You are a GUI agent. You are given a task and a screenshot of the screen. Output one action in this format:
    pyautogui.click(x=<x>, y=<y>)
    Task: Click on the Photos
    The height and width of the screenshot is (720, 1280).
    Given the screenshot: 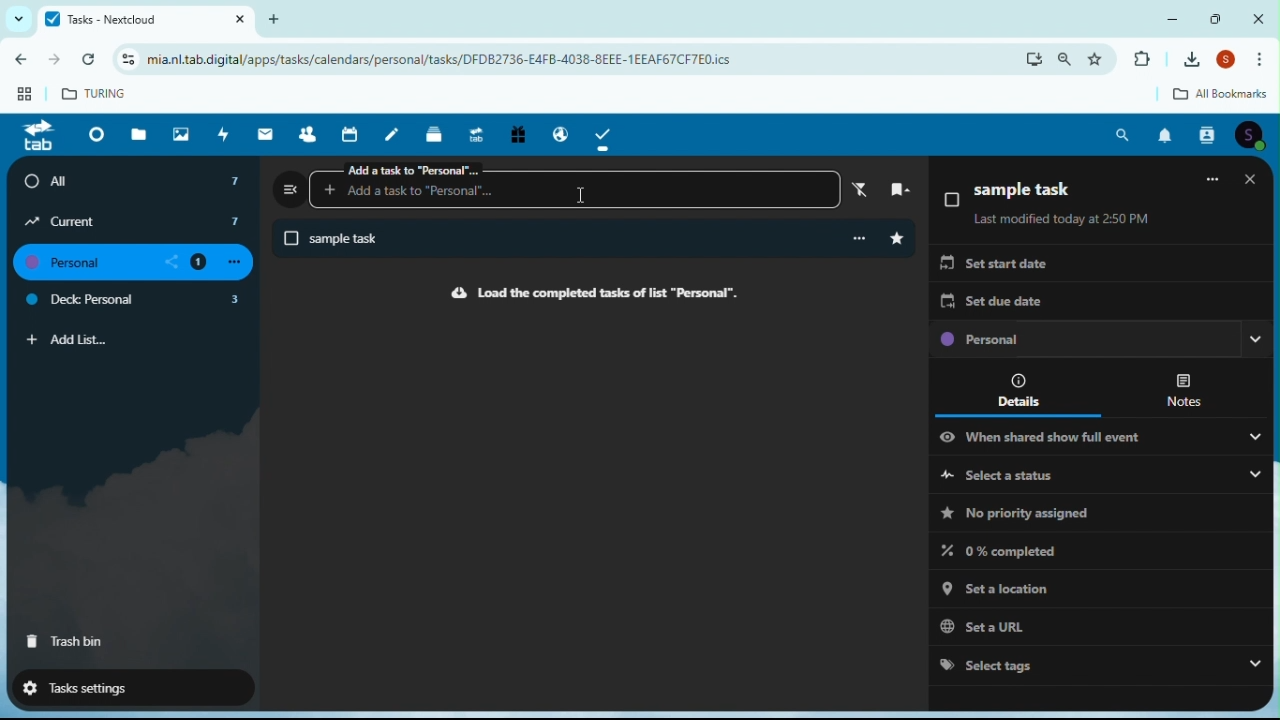 What is the action you would take?
    pyautogui.click(x=181, y=133)
    